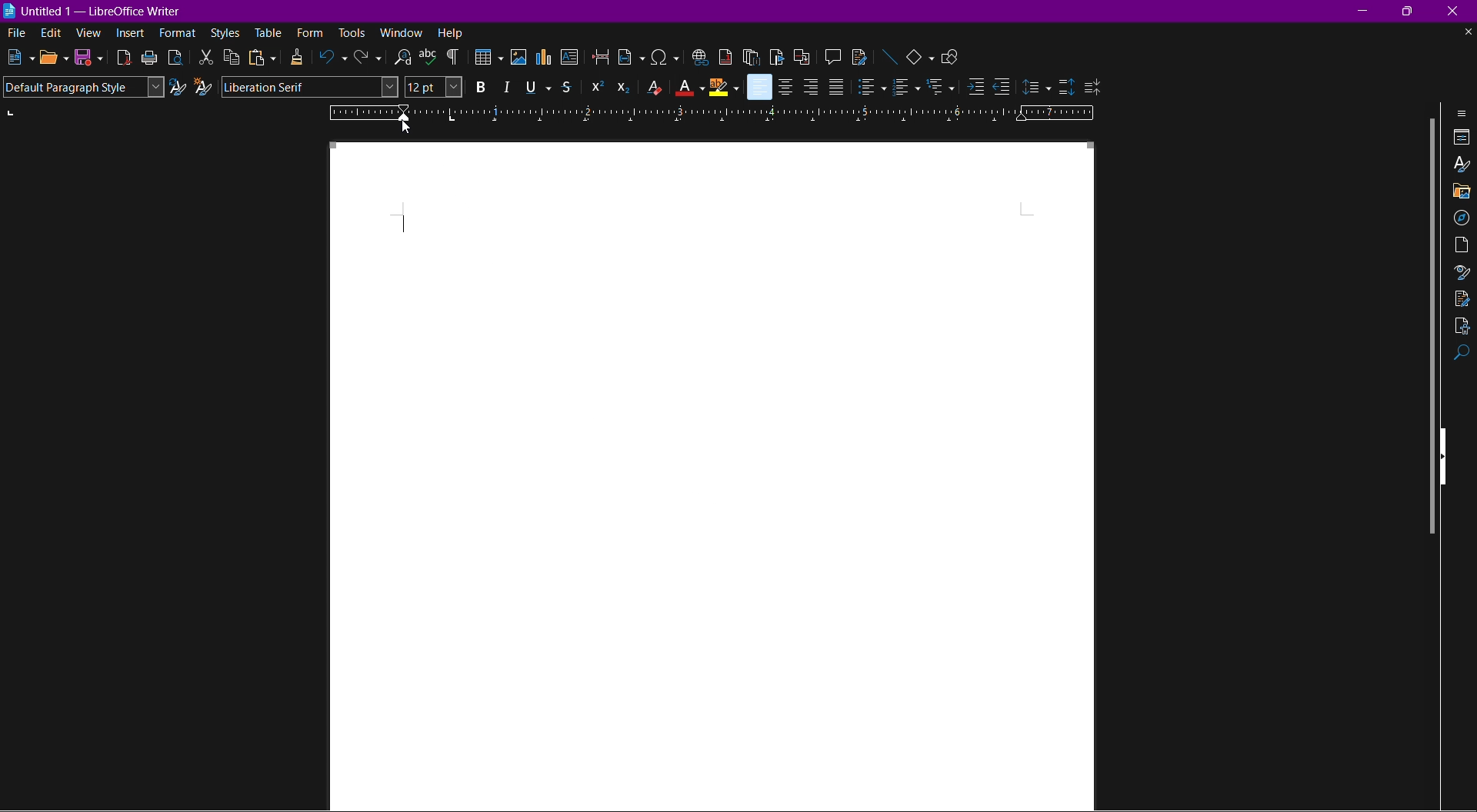 This screenshot has height=812, width=1477. What do you see at coordinates (829, 55) in the screenshot?
I see `Insert Comment` at bounding box center [829, 55].